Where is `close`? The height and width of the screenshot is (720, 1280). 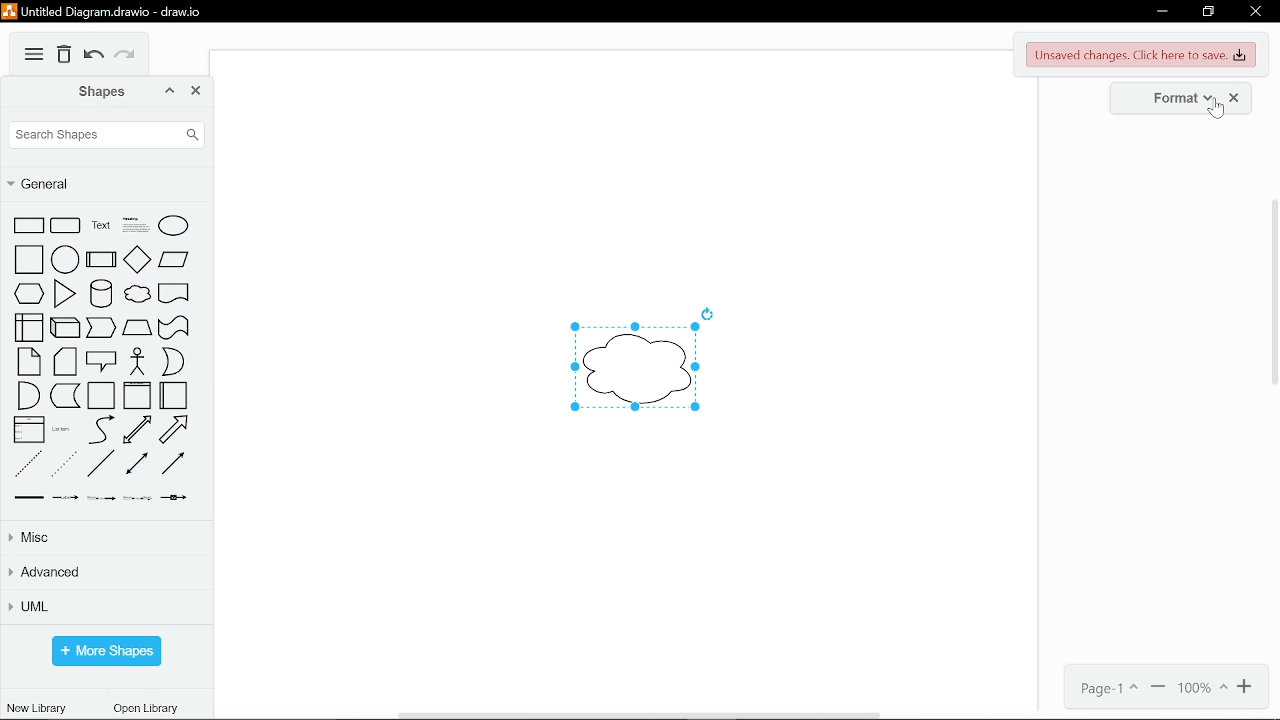 close is located at coordinates (198, 91).